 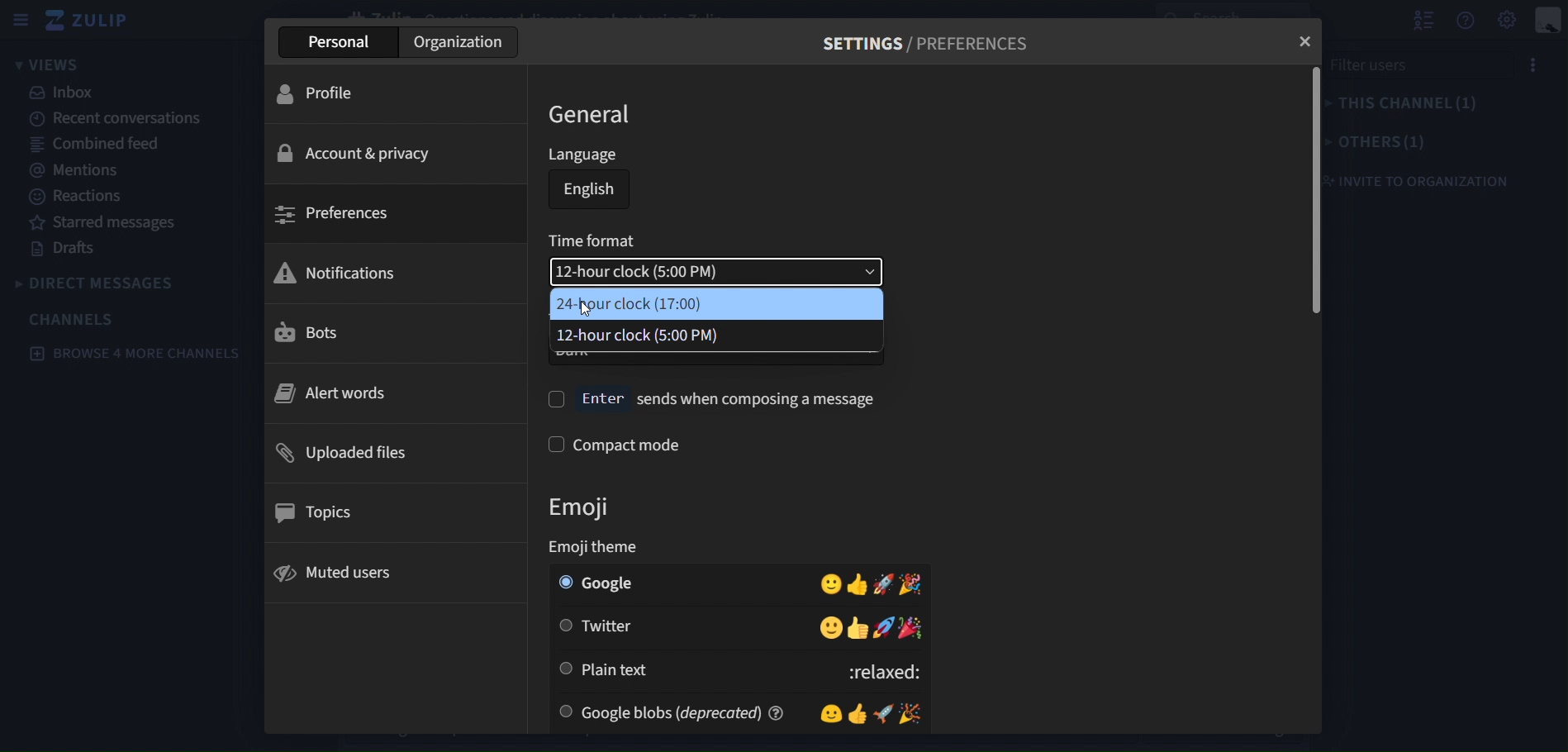 What do you see at coordinates (586, 189) in the screenshot?
I see `english` at bounding box center [586, 189].